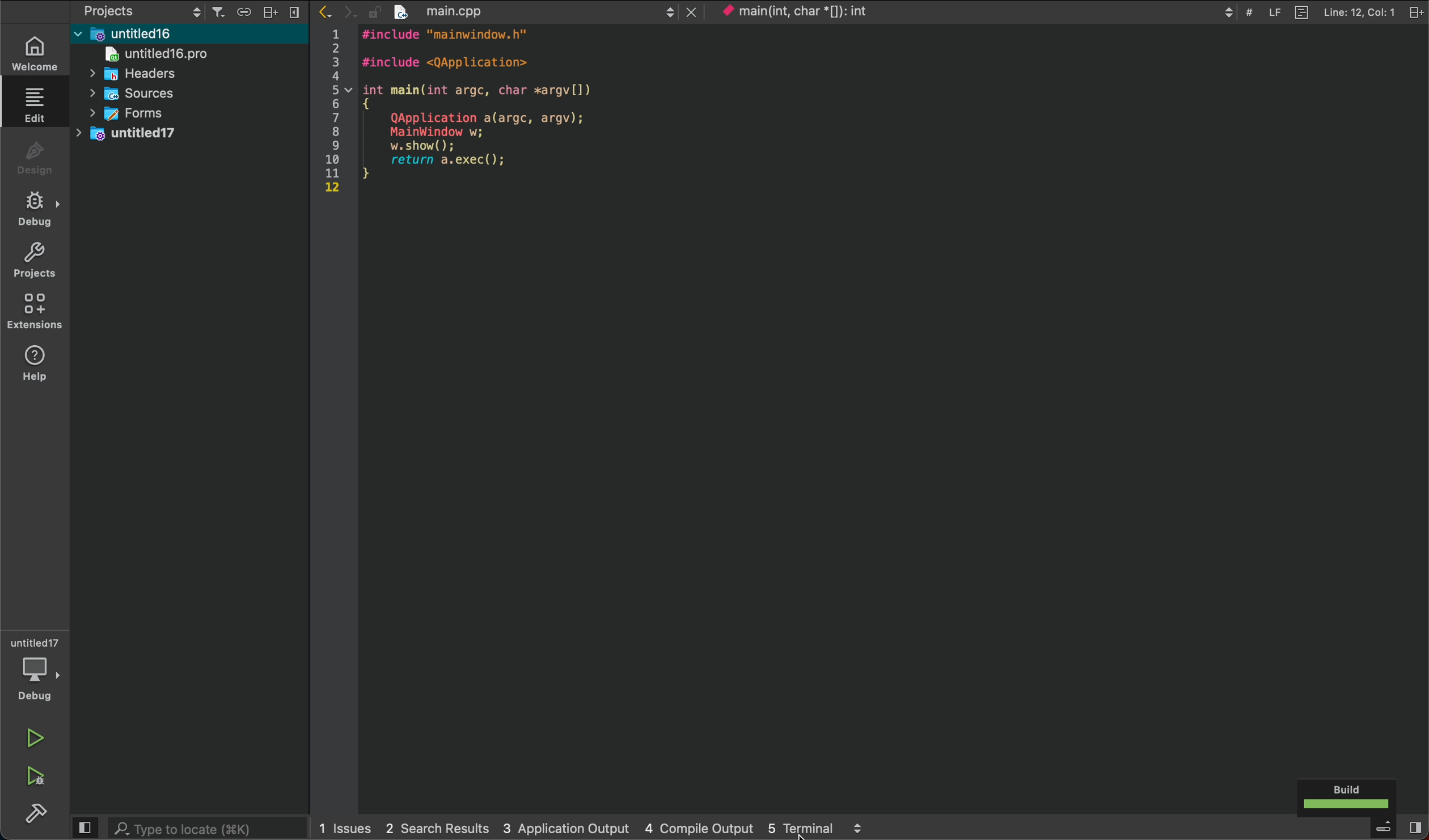 This screenshot has height=840, width=1429. I want to click on link, so click(248, 11).